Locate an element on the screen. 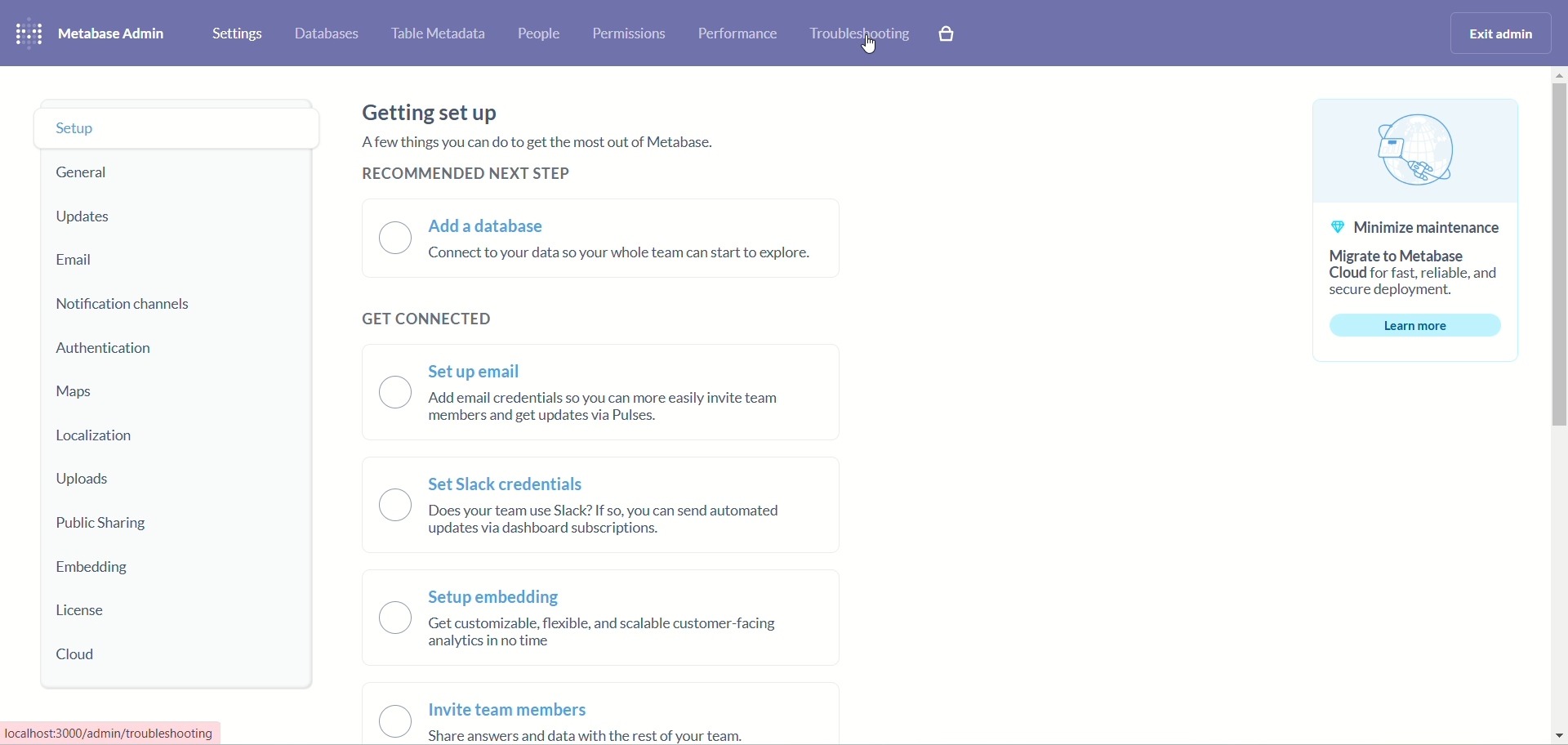  email is located at coordinates (82, 257).